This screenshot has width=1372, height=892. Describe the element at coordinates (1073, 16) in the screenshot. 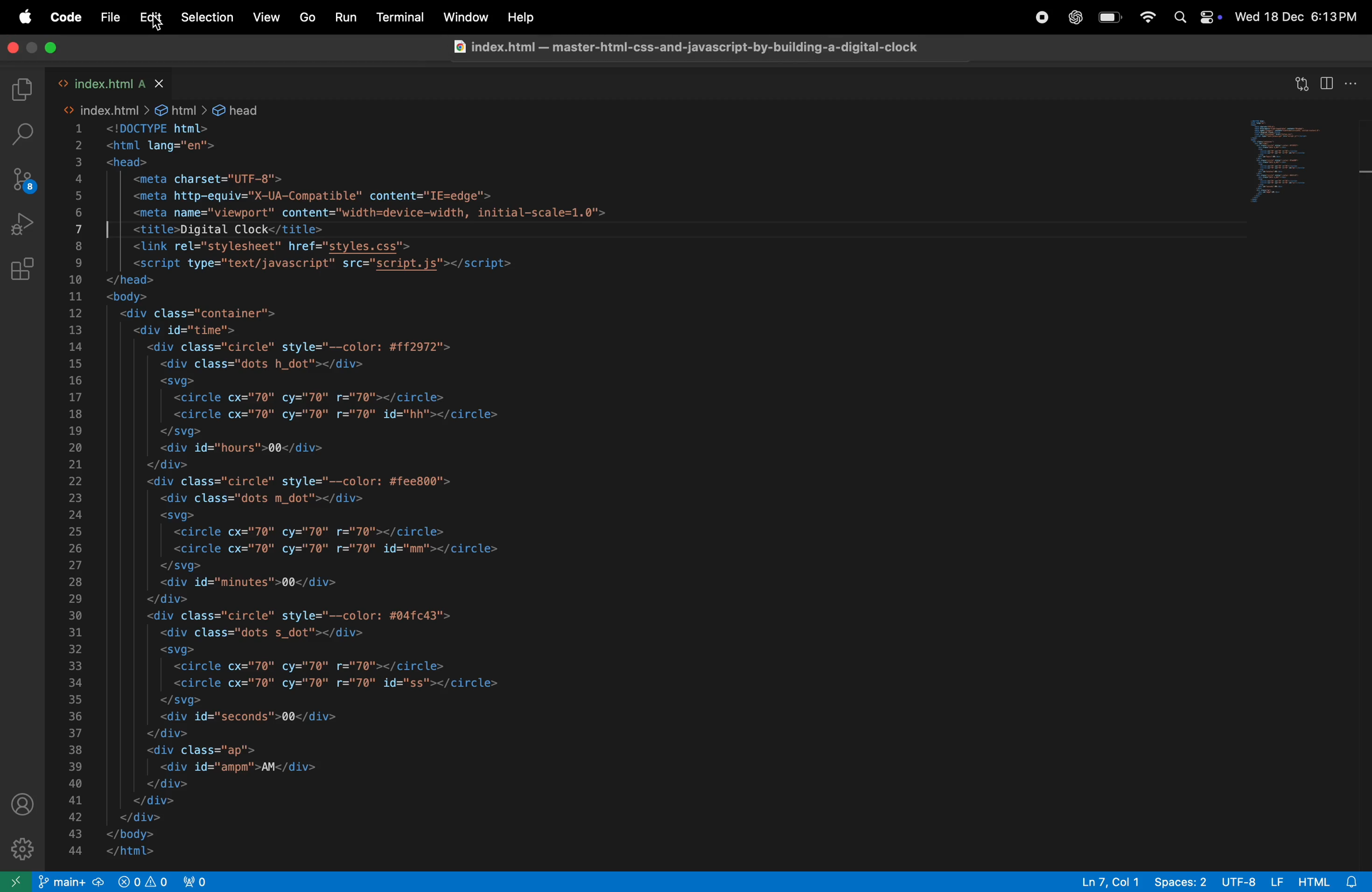

I see `chat gpt` at that location.